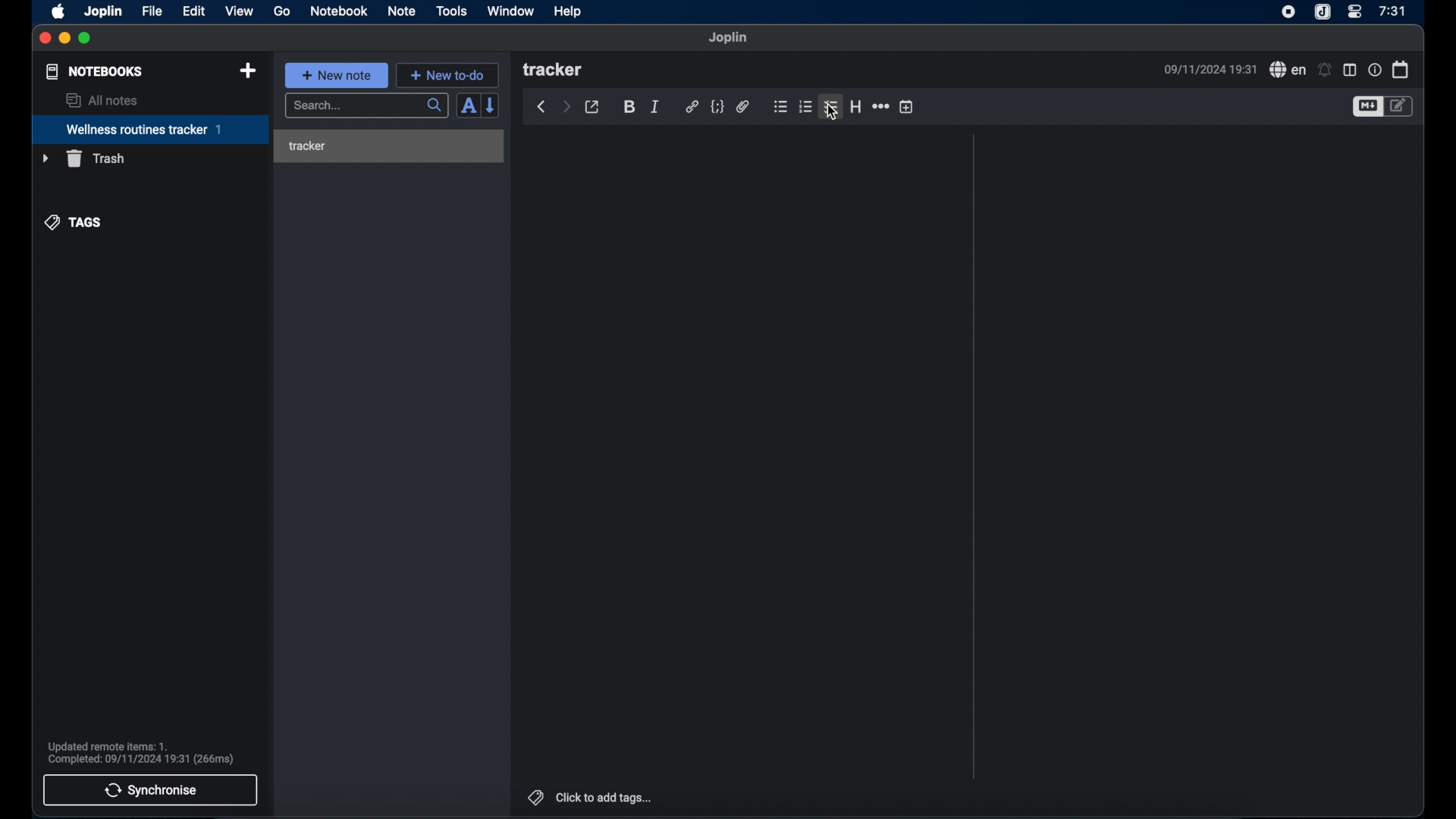  I want to click on joplin icon, so click(1323, 12).